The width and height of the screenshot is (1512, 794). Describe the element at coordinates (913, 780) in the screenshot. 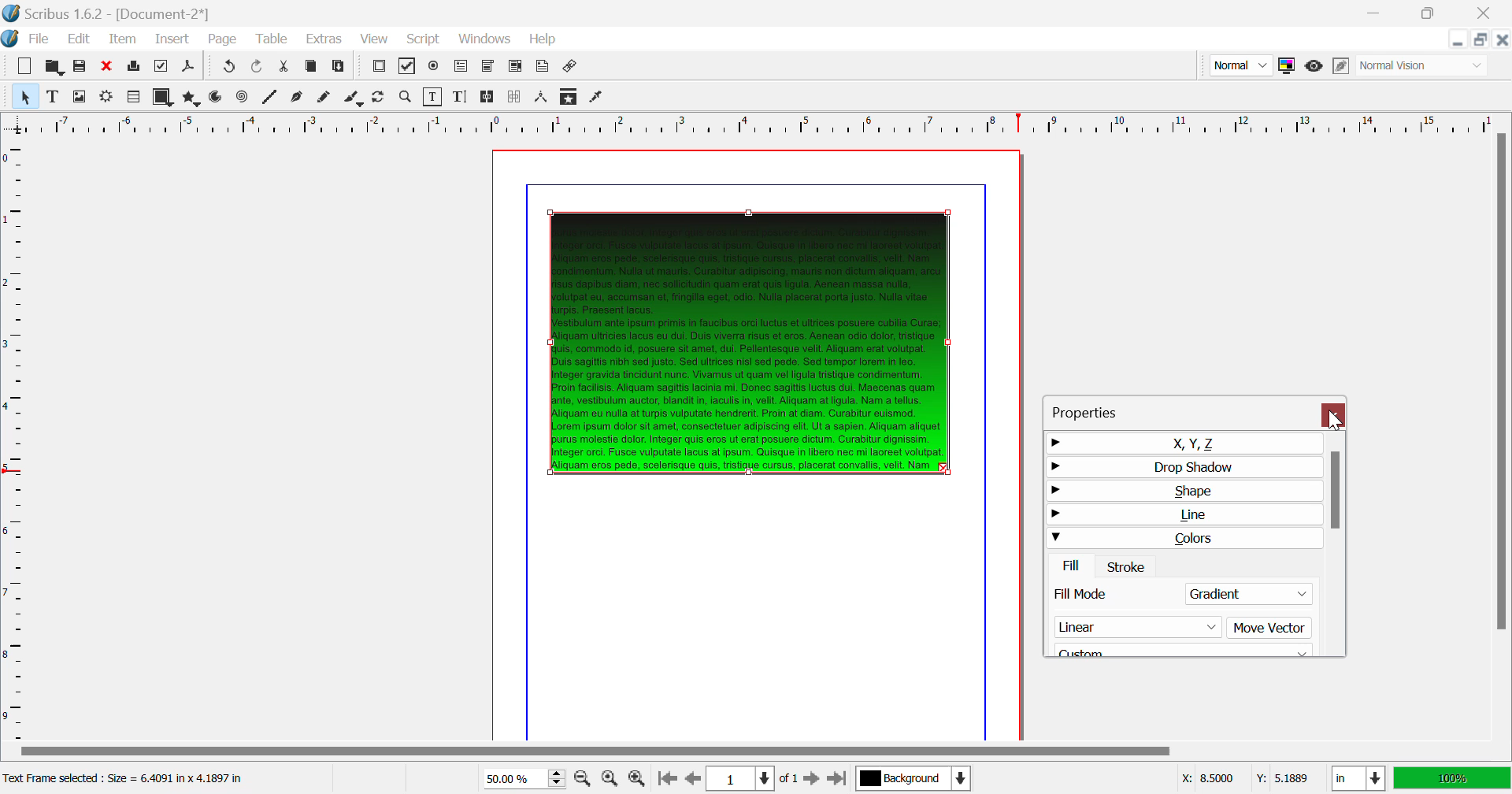

I see `Background` at that location.